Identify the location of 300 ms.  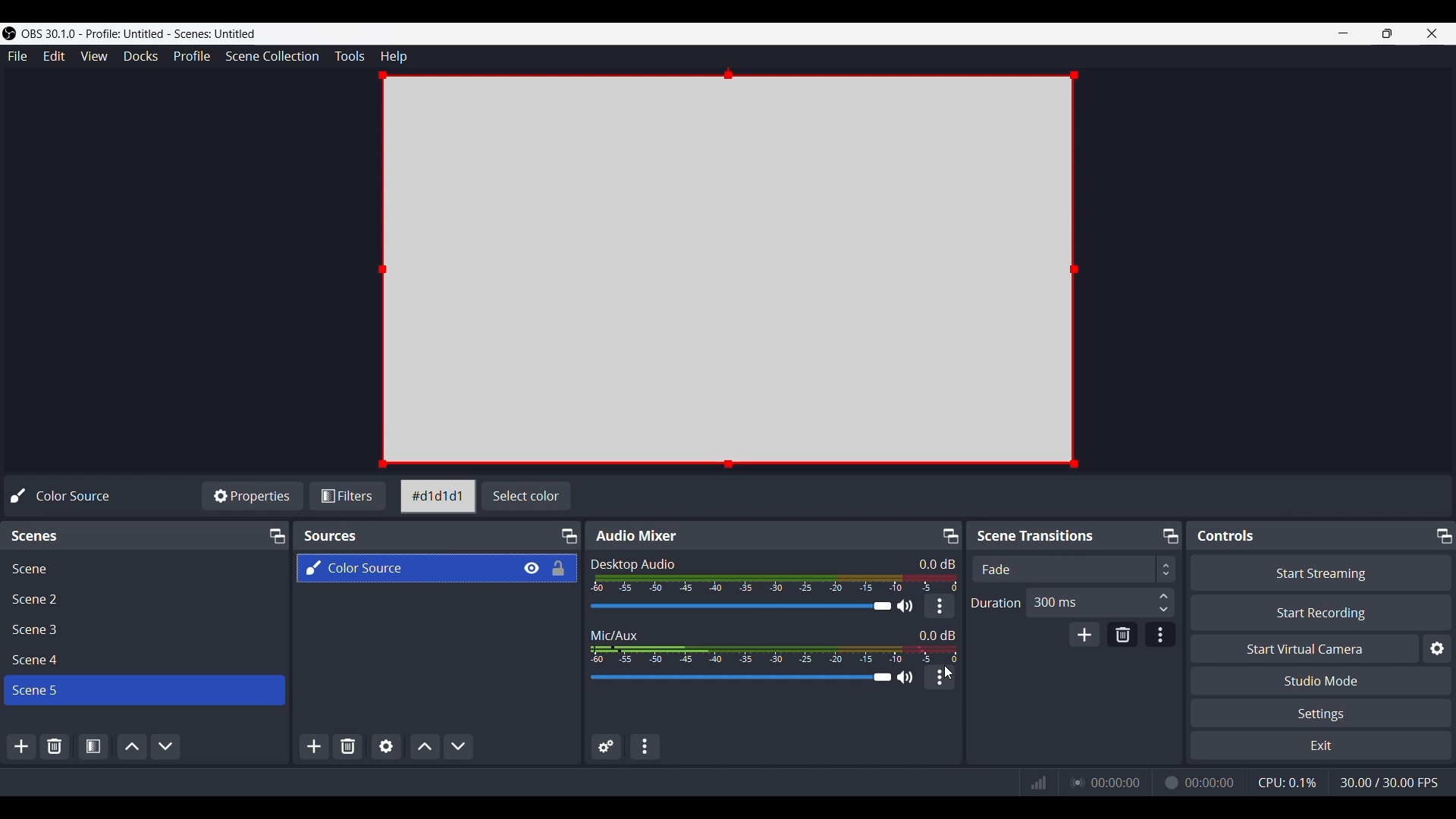
(1102, 601).